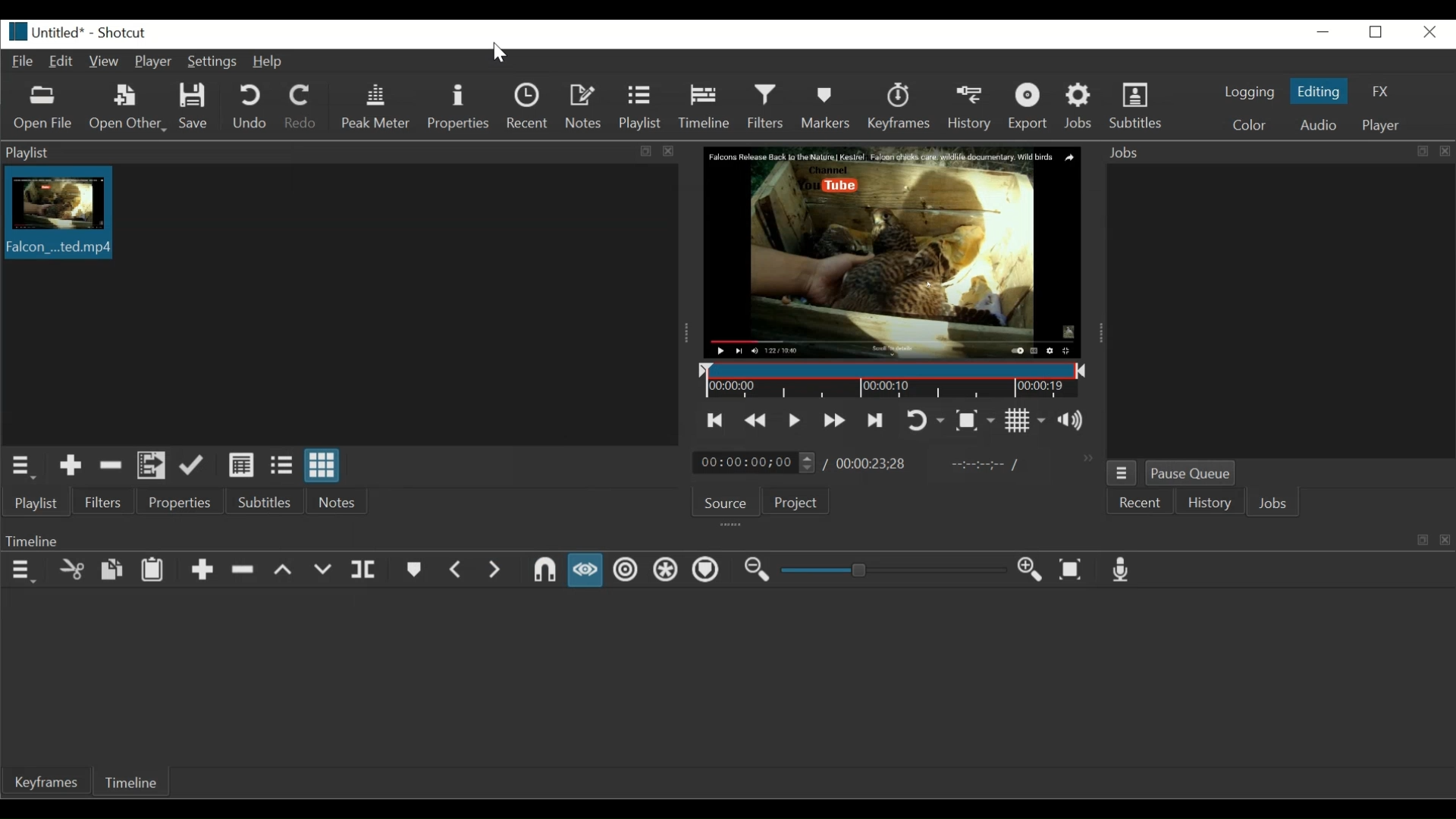 Image resolution: width=1456 pixels, height=819 pixels. What do you see at coordinates (21, 468) in the screenshot?
I see `Playlist menu` at bounding box center [21, 468].